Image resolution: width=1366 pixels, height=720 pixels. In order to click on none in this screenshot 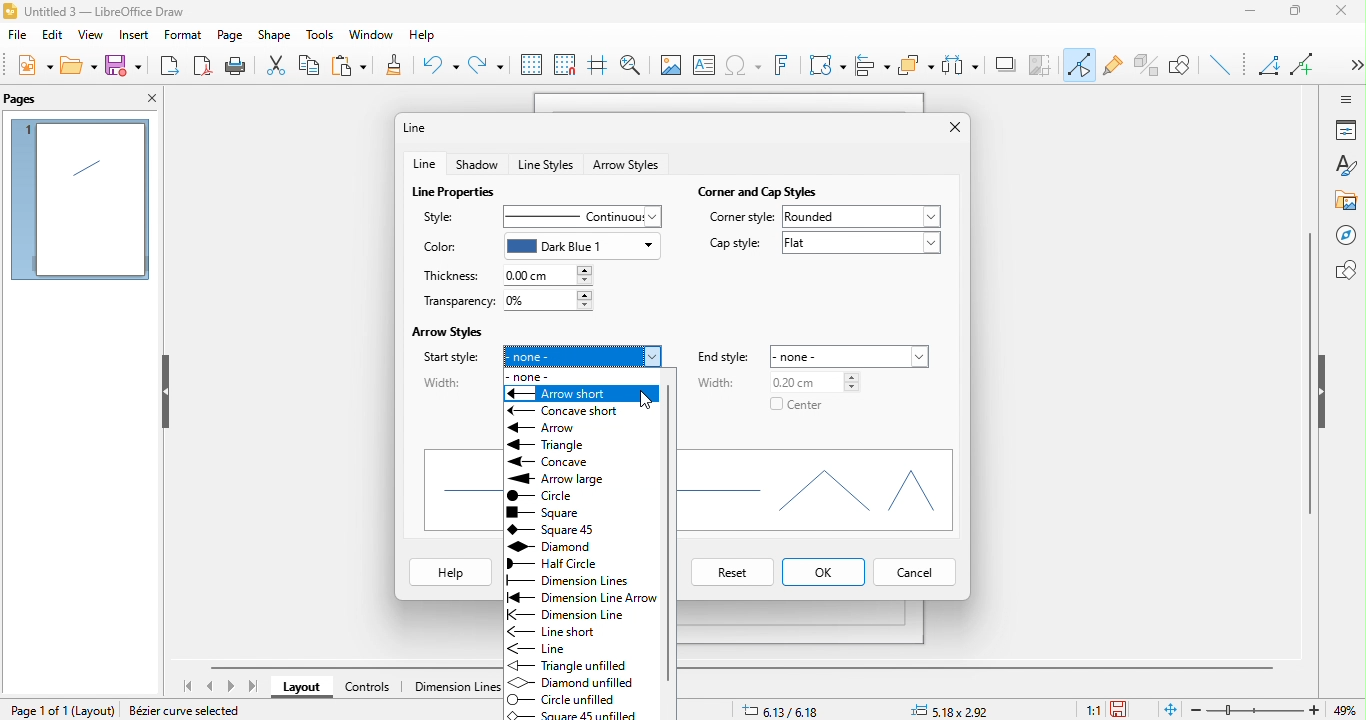, I will do `click(854, 354)`.